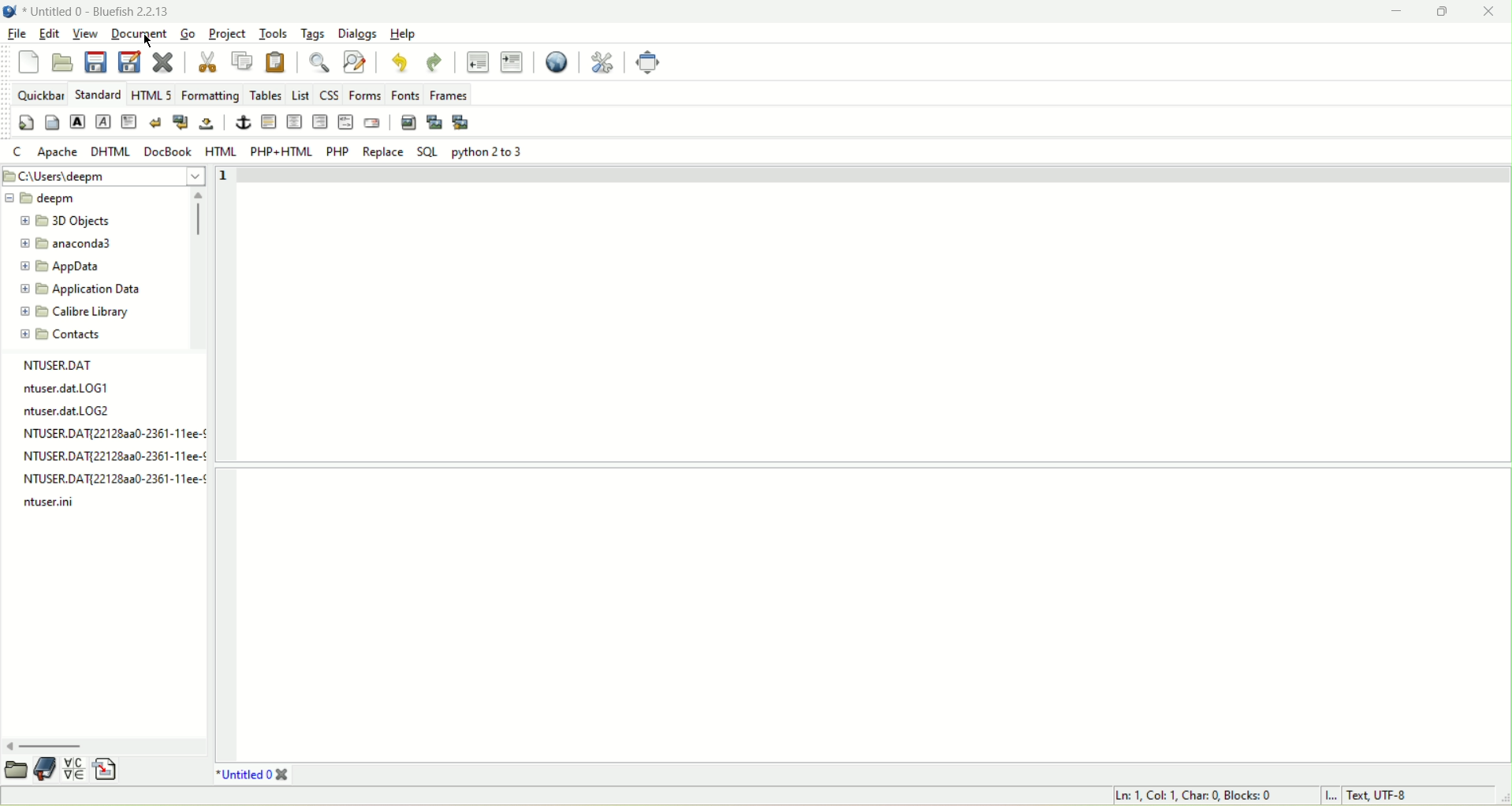  What do you see at coordinates (59, 152) in the screenshot?
I see `apache` at bounding box center [59, 152].